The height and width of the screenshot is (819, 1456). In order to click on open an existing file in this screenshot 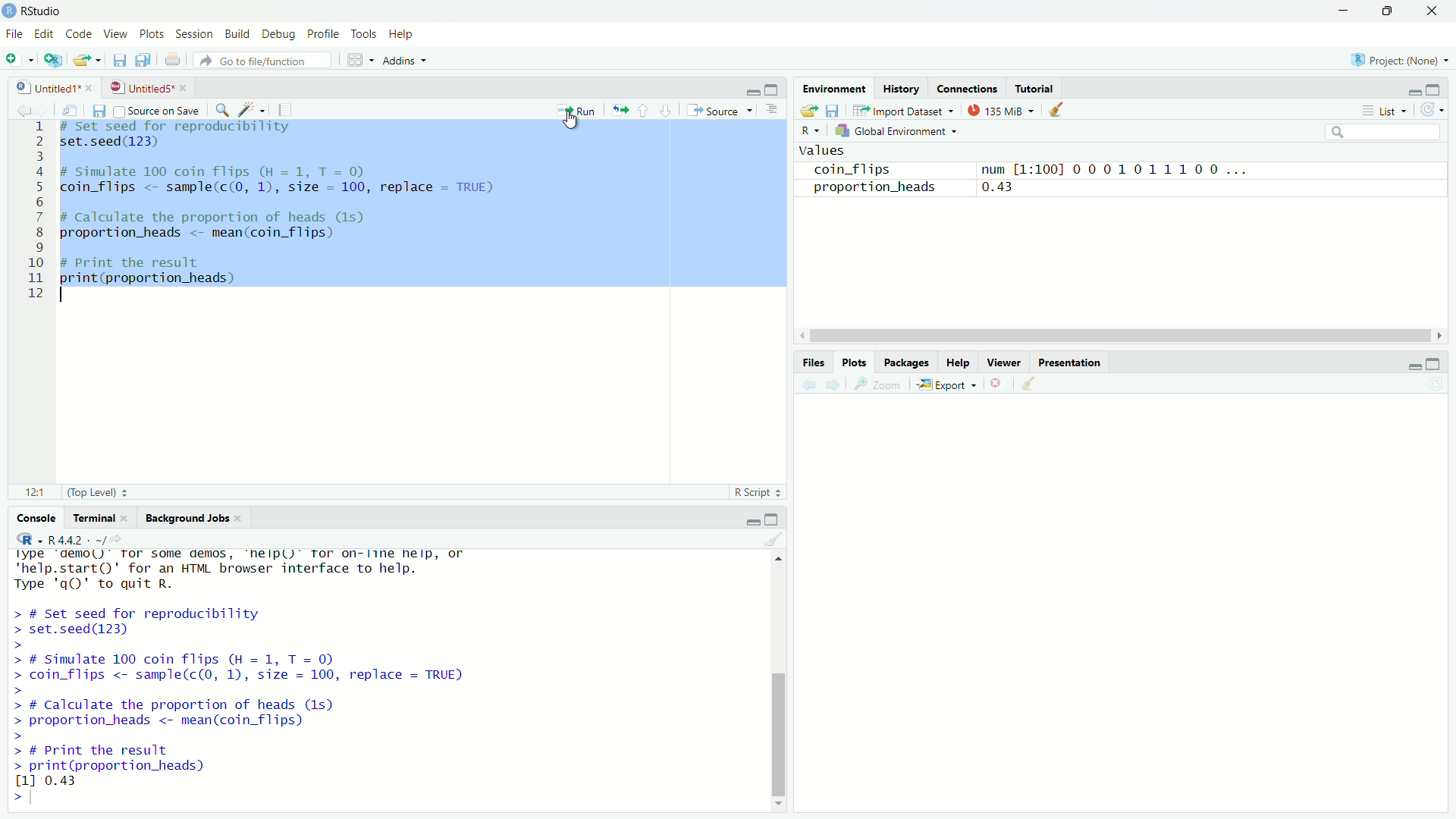, I will do `click(86, 61)`.